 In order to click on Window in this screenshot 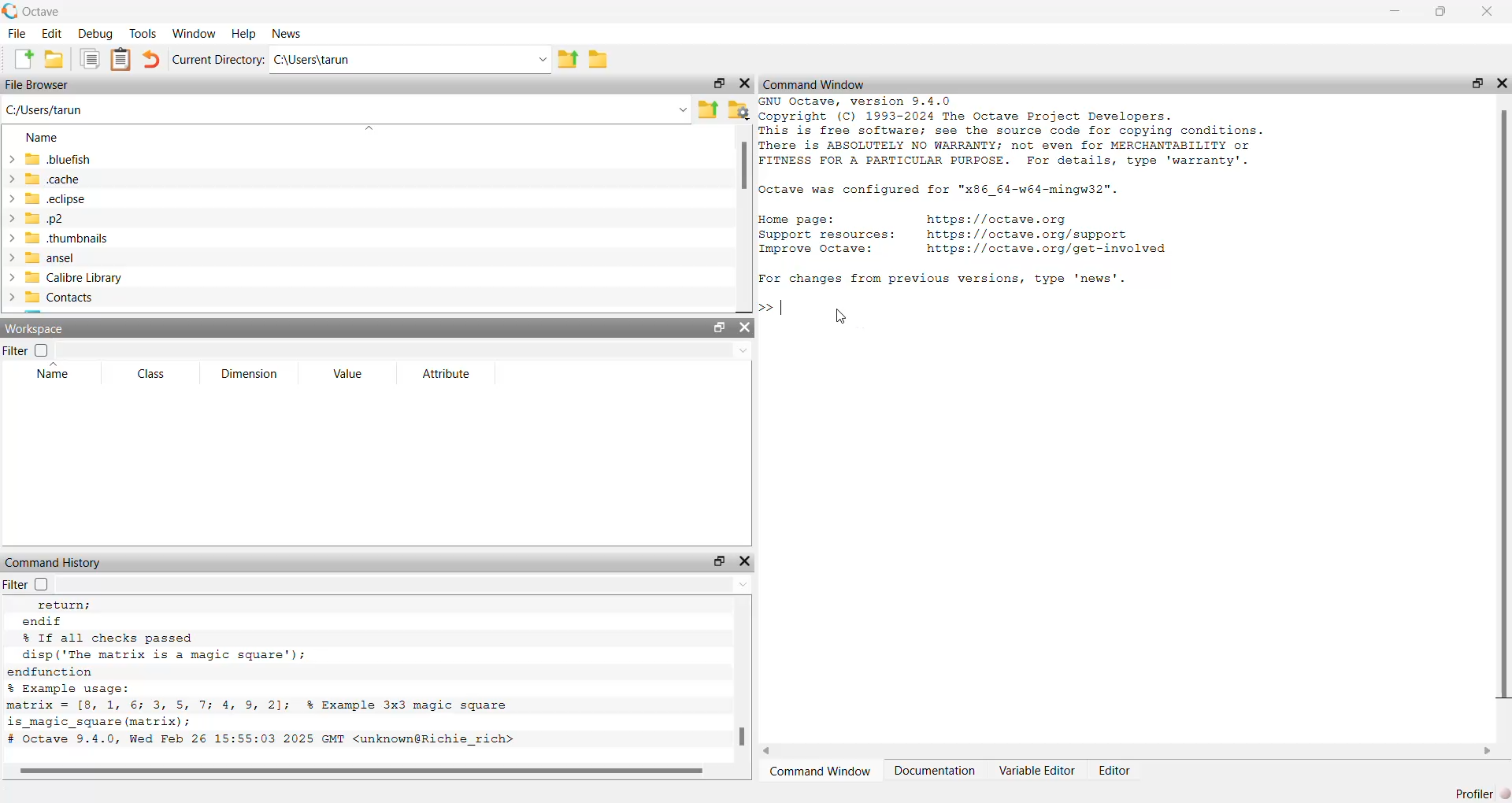, I will do `click(193, 33)`.